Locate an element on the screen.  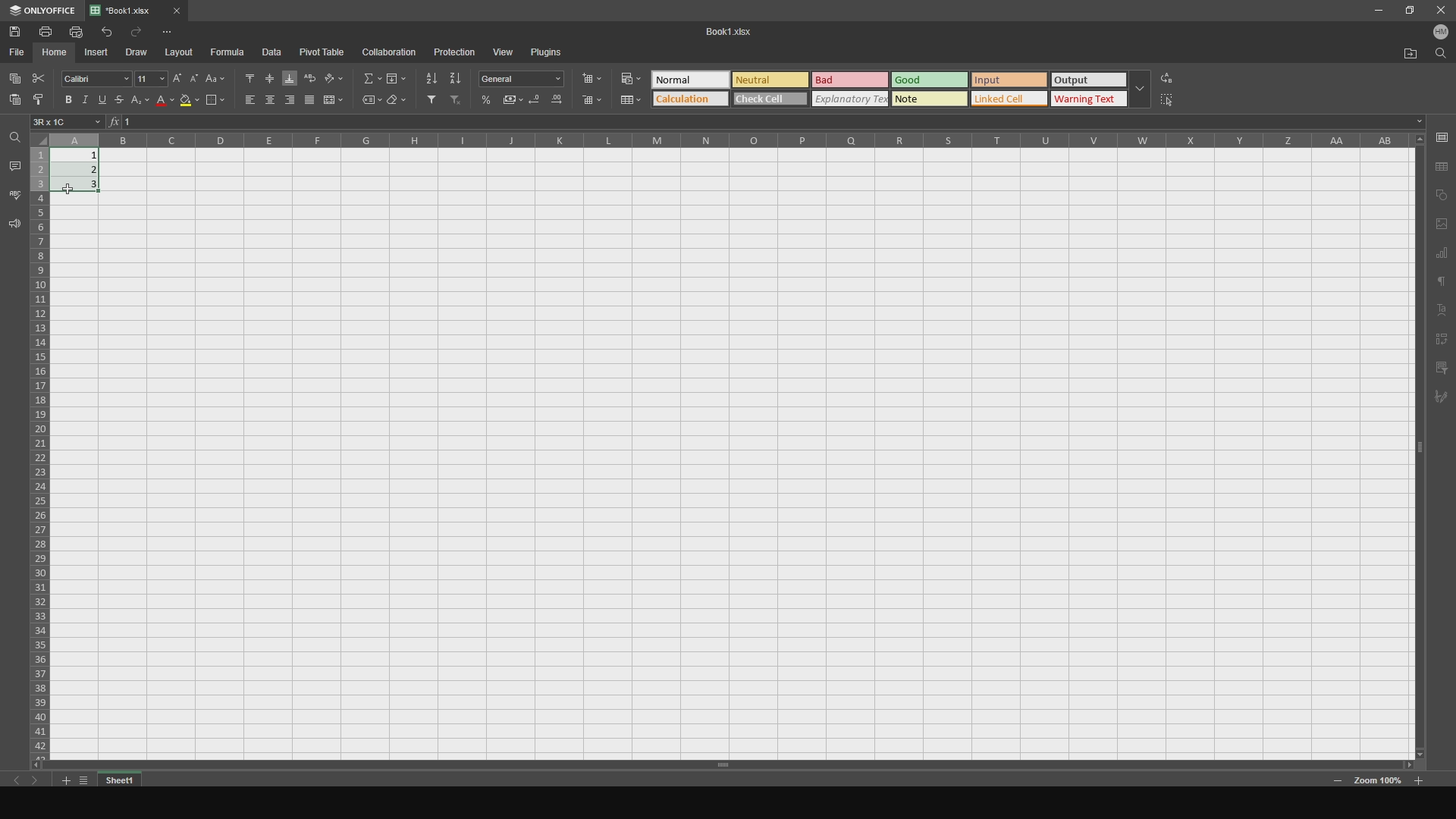
copy is located at coordinates (1442, 194).